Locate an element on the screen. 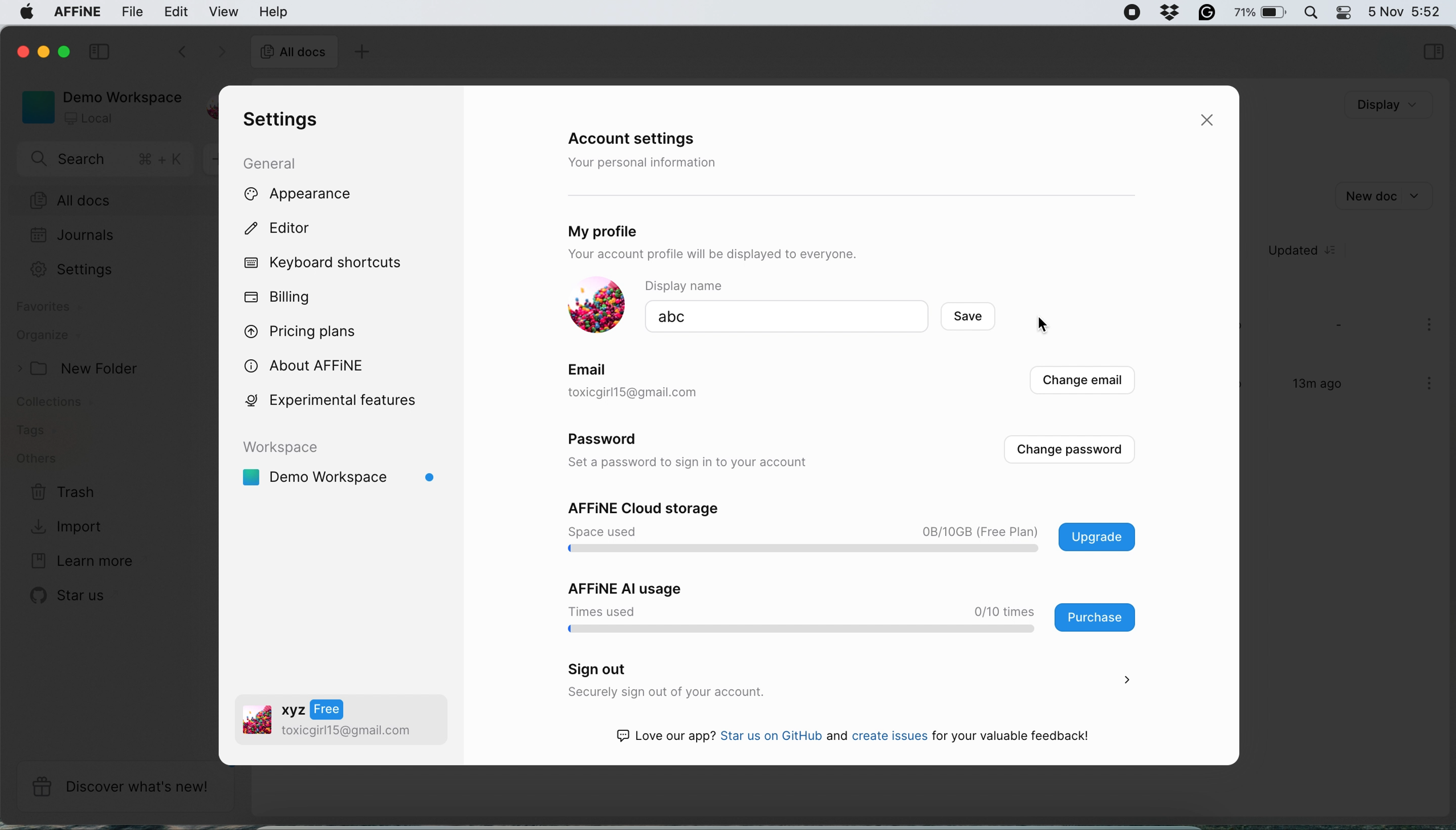  demo workspace is located at coordinates (97, 106).